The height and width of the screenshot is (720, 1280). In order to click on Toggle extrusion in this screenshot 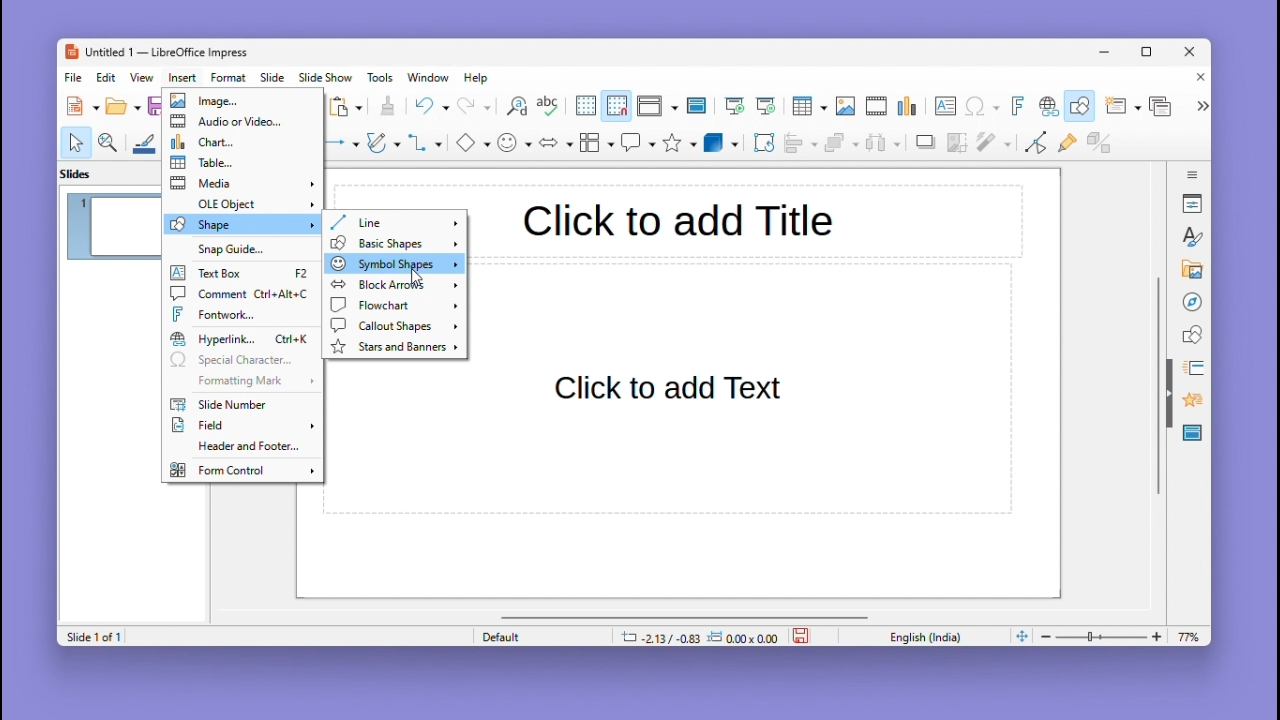, I will do `click(1099, 144)`.